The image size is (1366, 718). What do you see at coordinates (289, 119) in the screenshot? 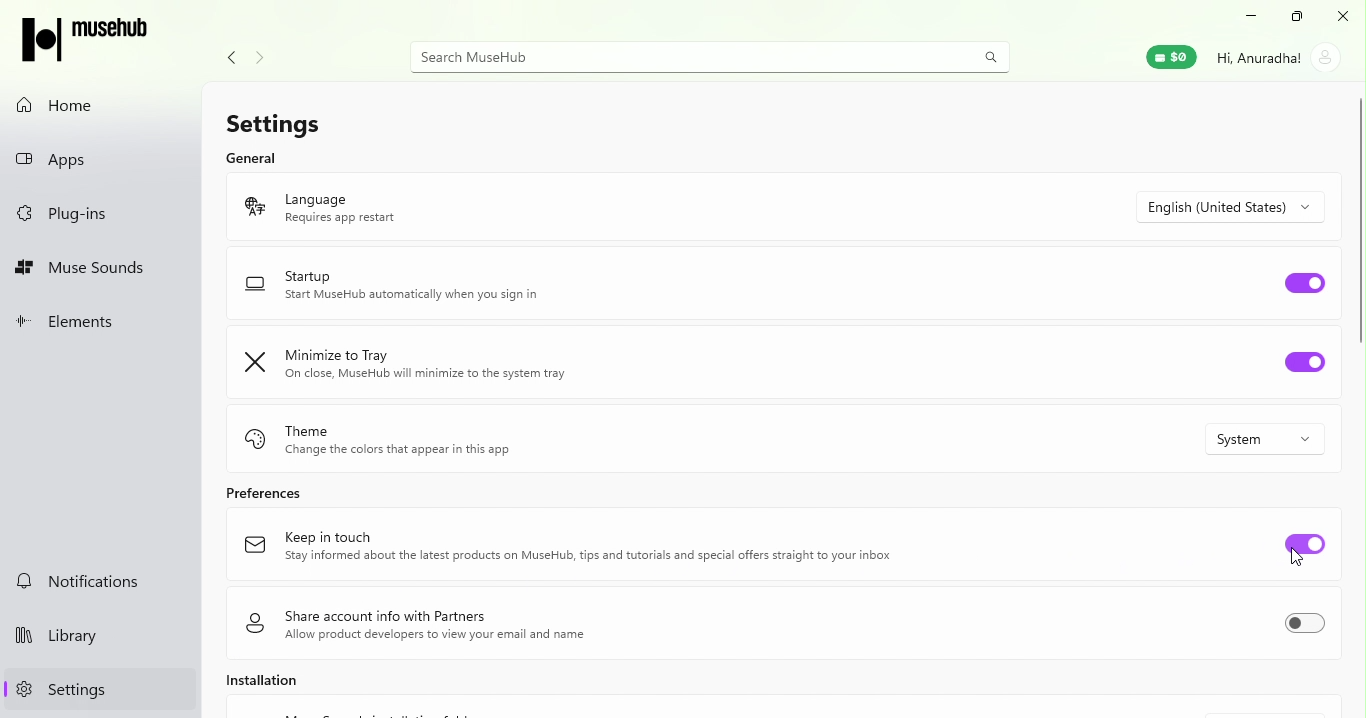
I see `Settings` at bounding box center [289, 119].